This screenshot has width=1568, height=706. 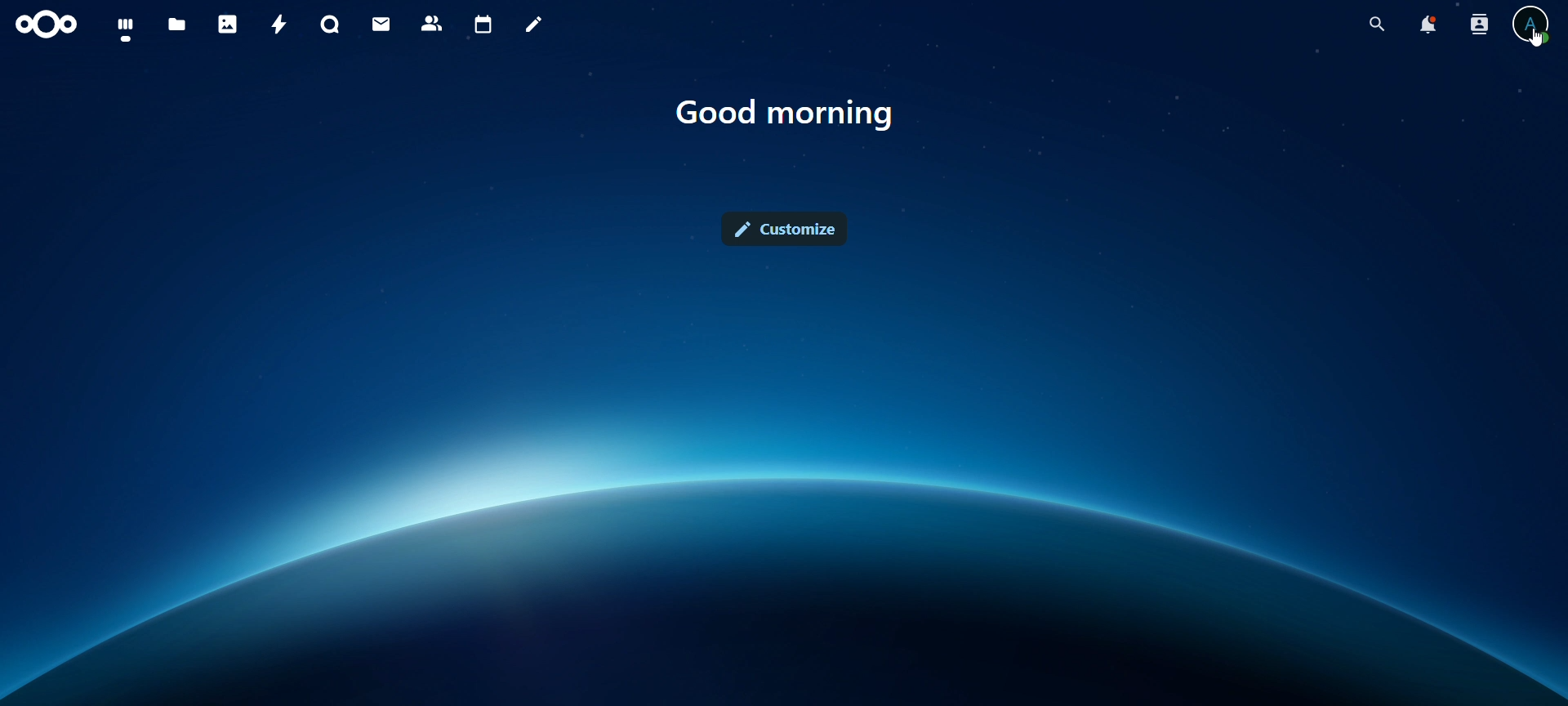 I want to click on view profile, so click(x=1531, y=25).